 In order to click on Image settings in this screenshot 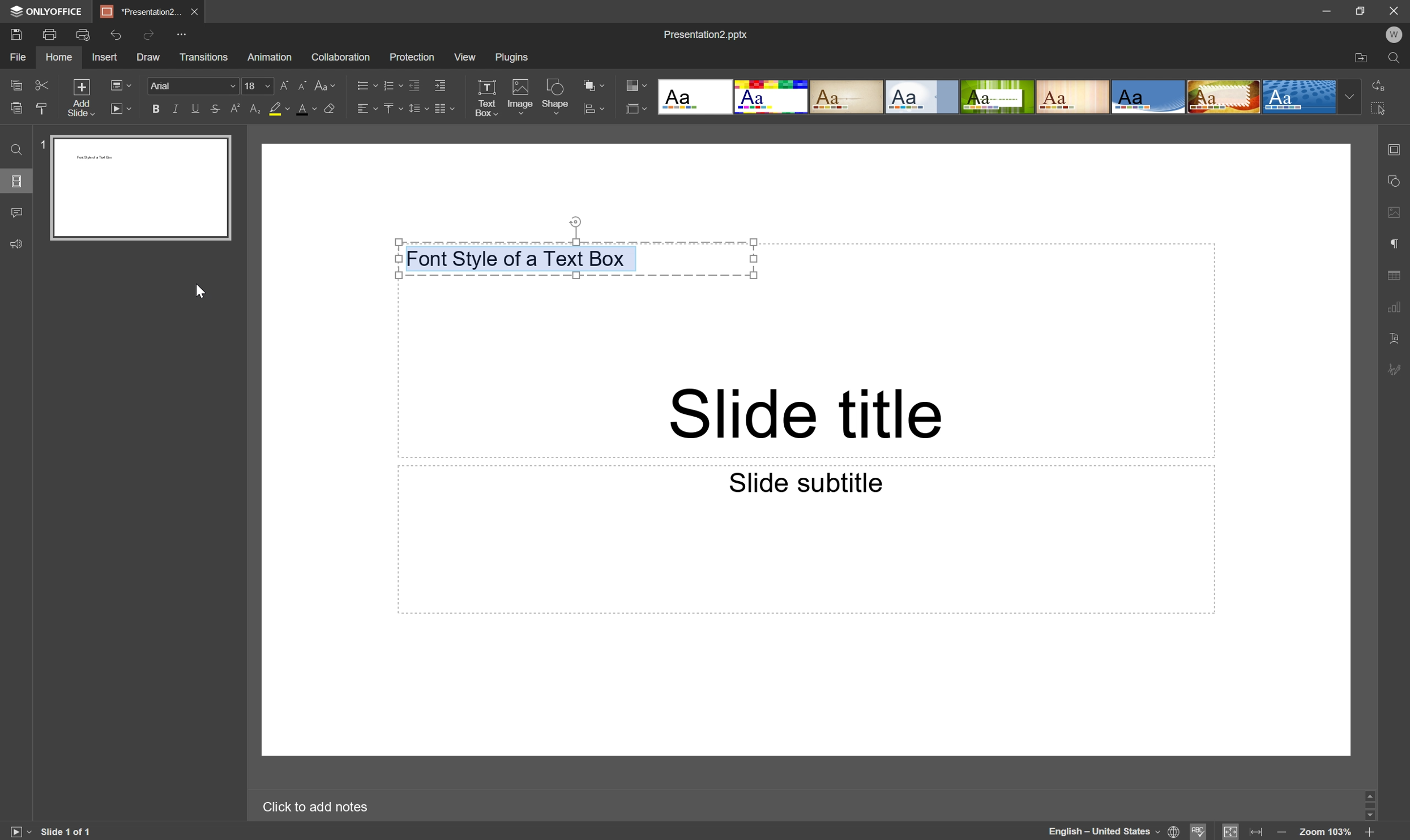, I will do `click(1398, 211)`.